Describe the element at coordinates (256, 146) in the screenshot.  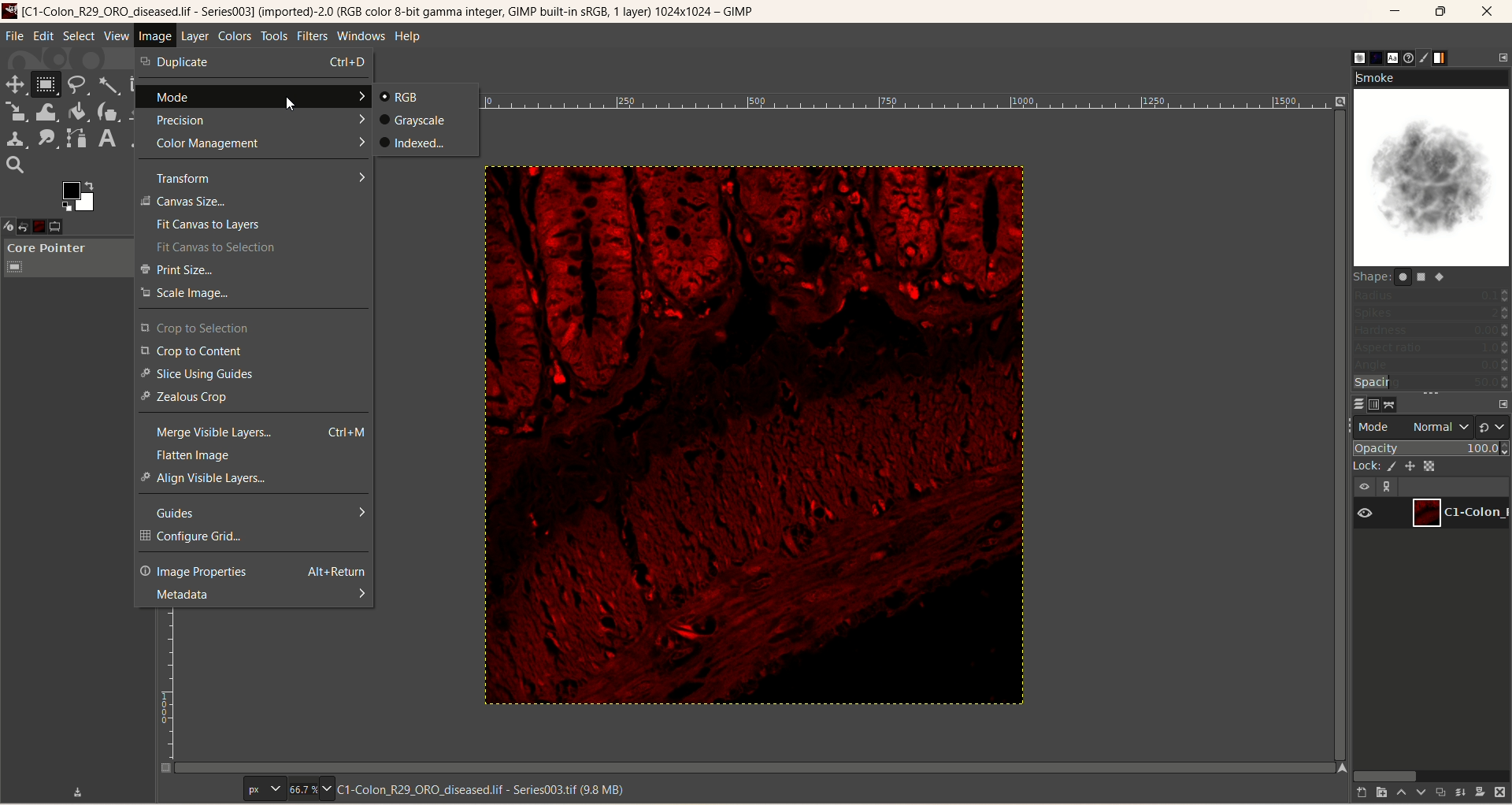
I see `color management` at that location.